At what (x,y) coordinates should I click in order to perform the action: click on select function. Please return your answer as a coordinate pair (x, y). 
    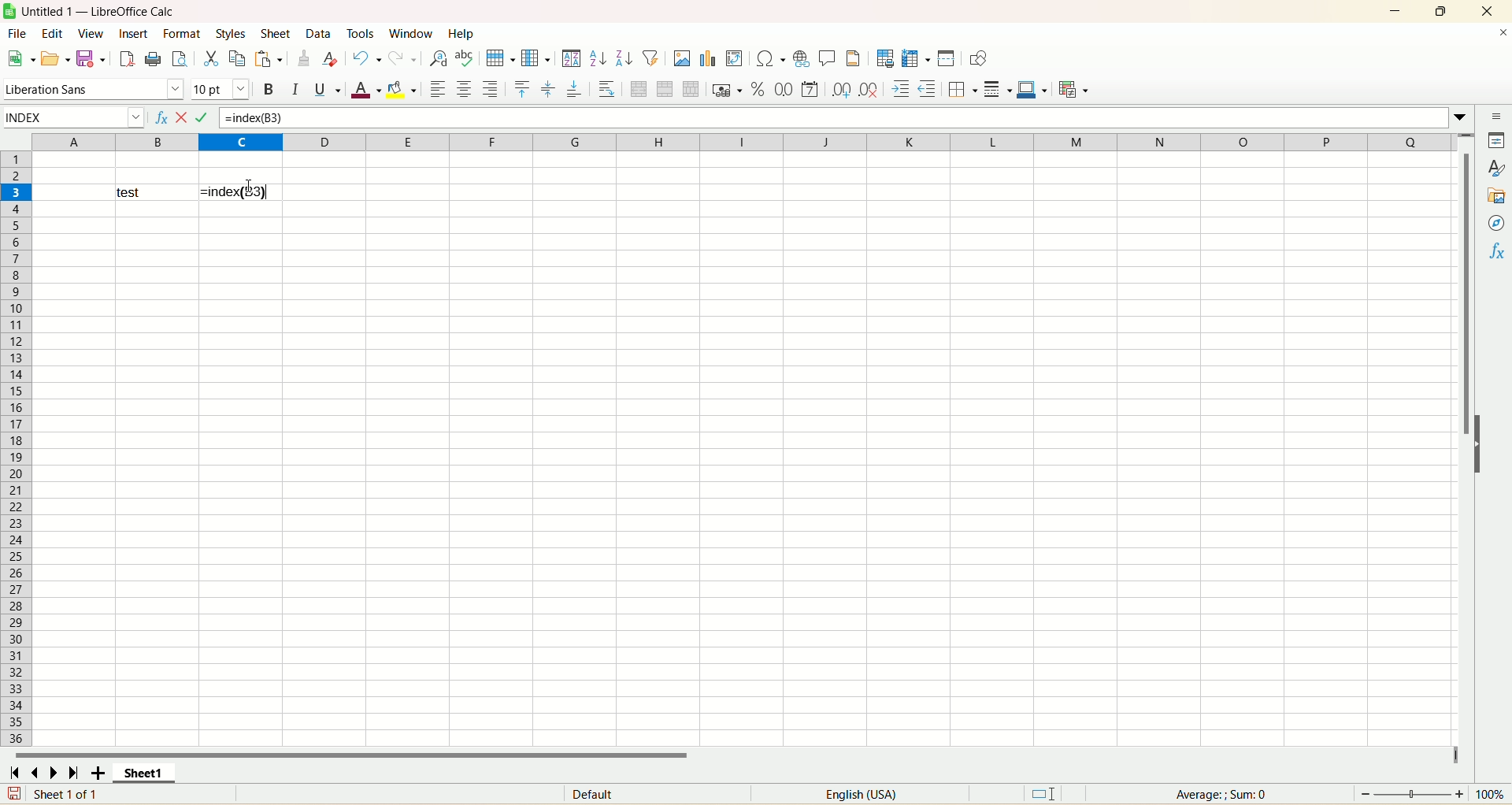
    Looking at the image, I should click on (186, 118).